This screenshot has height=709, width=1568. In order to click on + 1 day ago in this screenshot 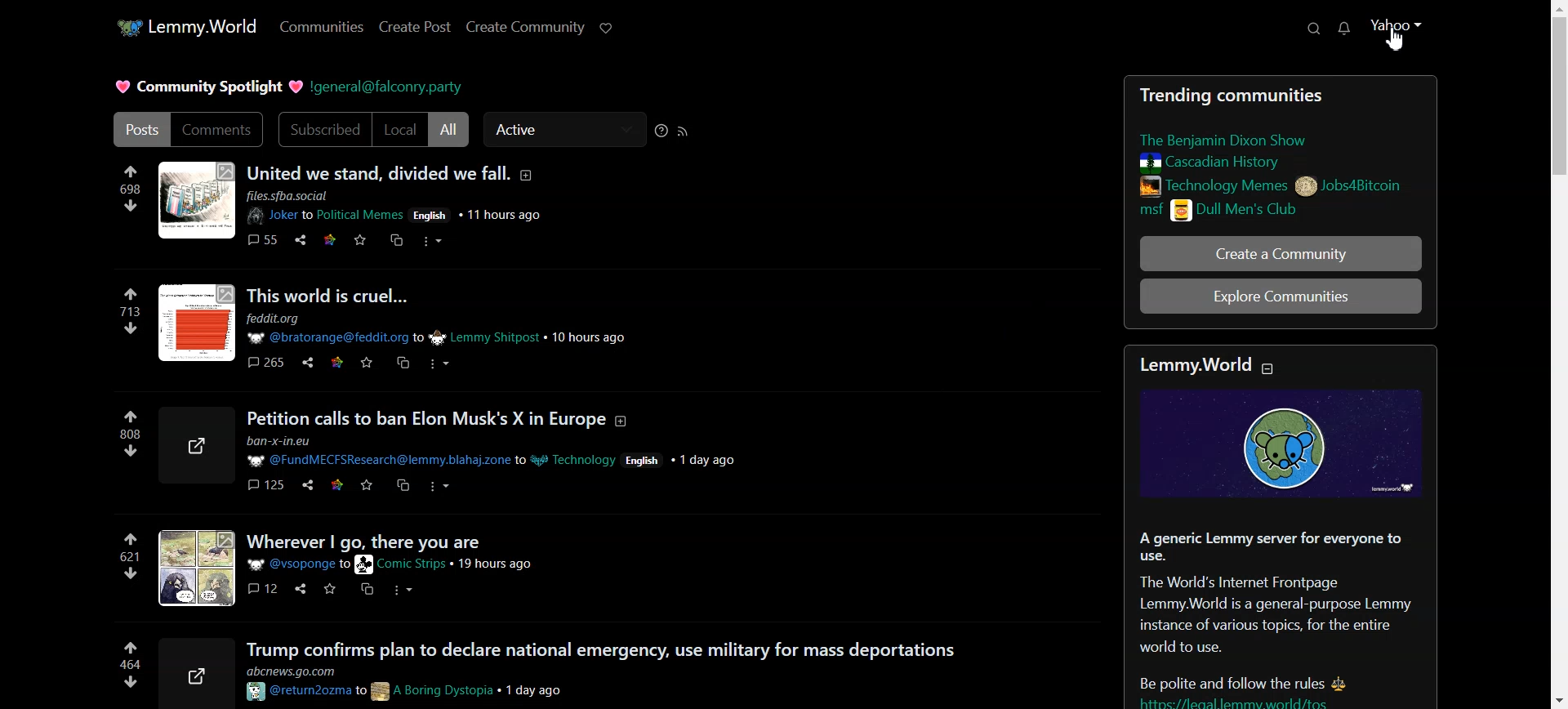, I will do `click(707, 461)`.